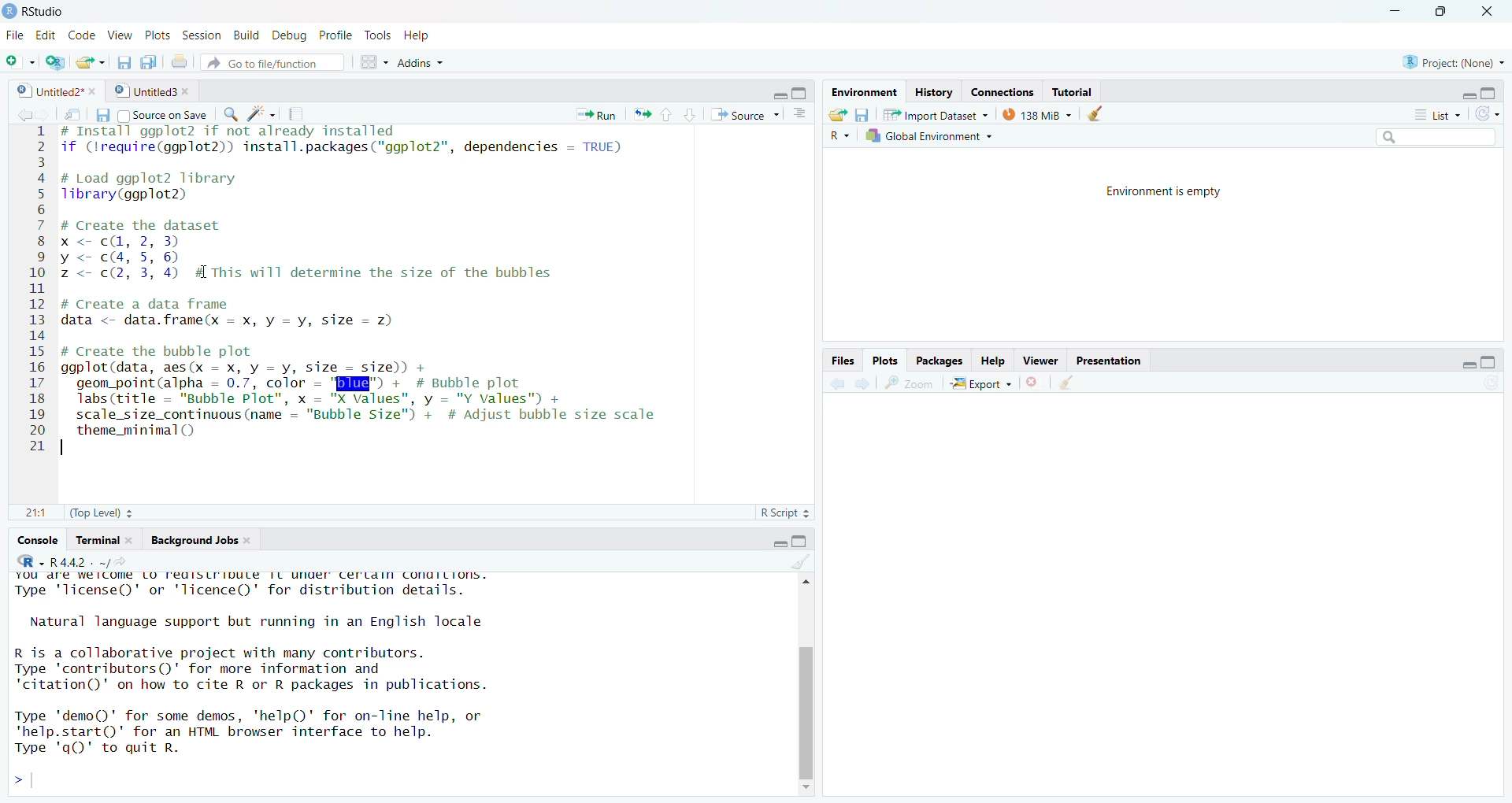 Image resolution: width=1512 pixels, height=803 pixels. What do you see at coordinates (839, 136) in the screenshot?
I see `R~` at bounding box center [839, 136].